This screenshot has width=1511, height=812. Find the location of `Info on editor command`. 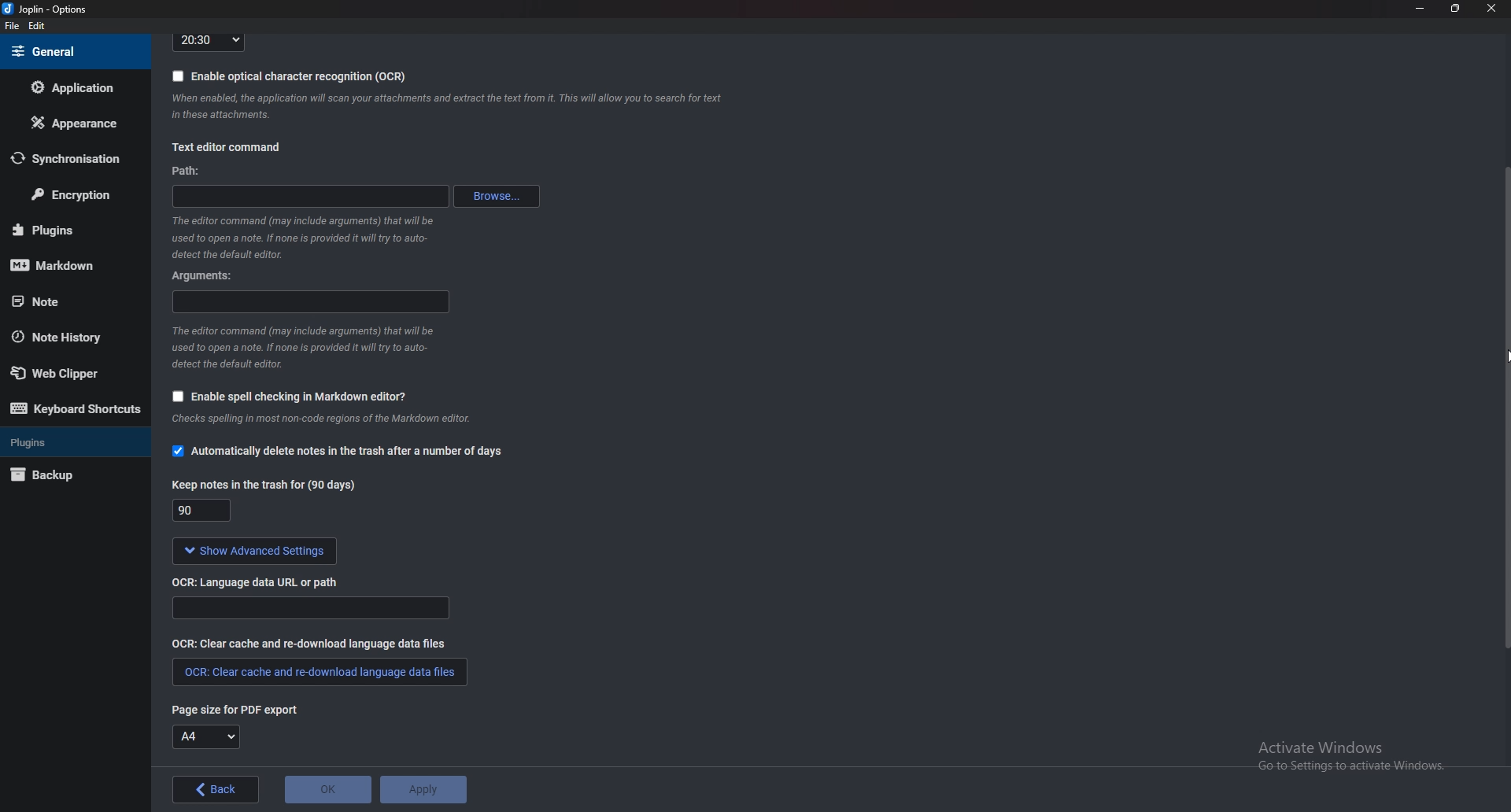

Info on editor command is located at coordinates (298, 237).